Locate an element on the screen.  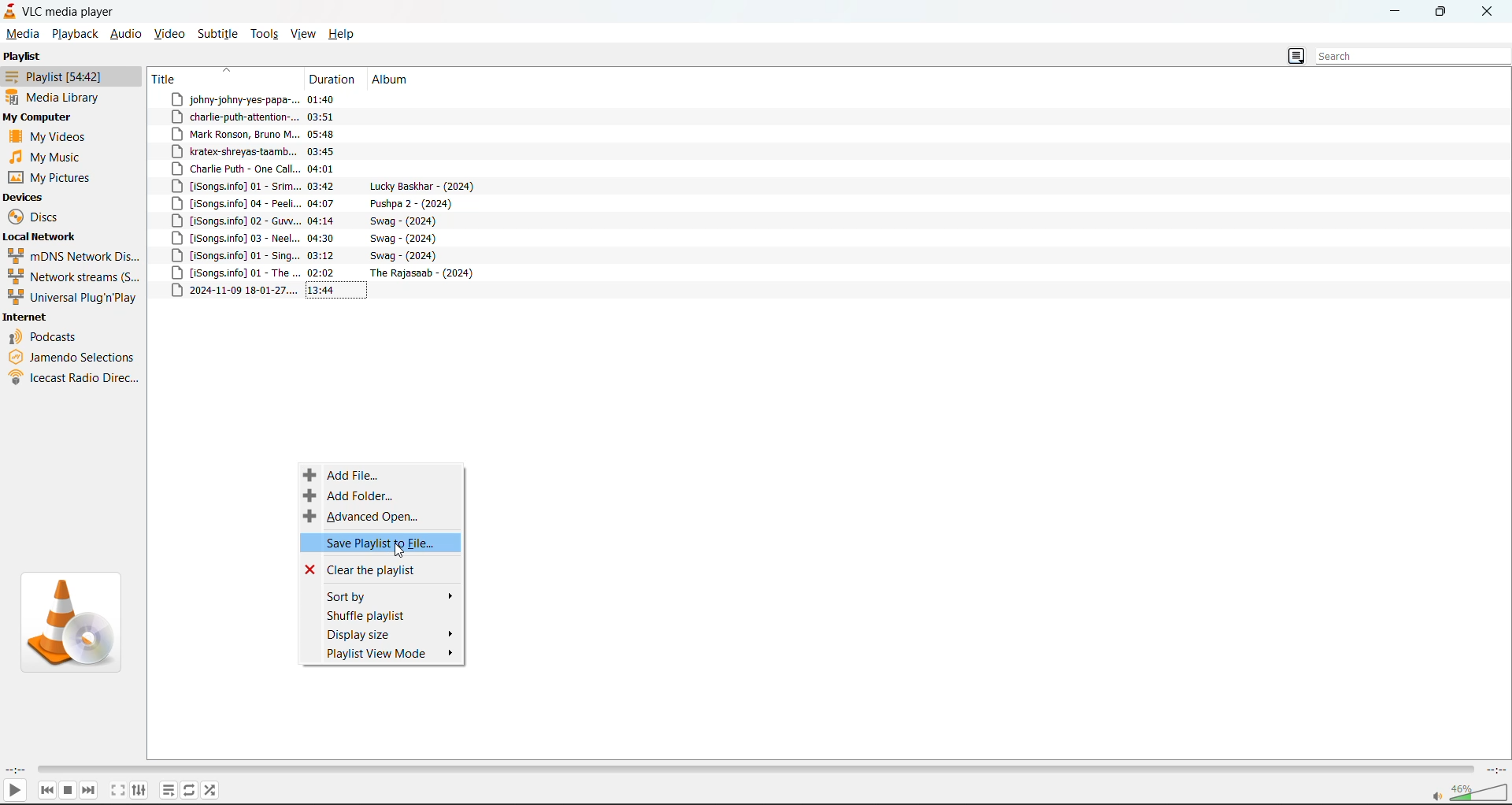
track 11 title, duration and album details is located at coordinates (328, 275).